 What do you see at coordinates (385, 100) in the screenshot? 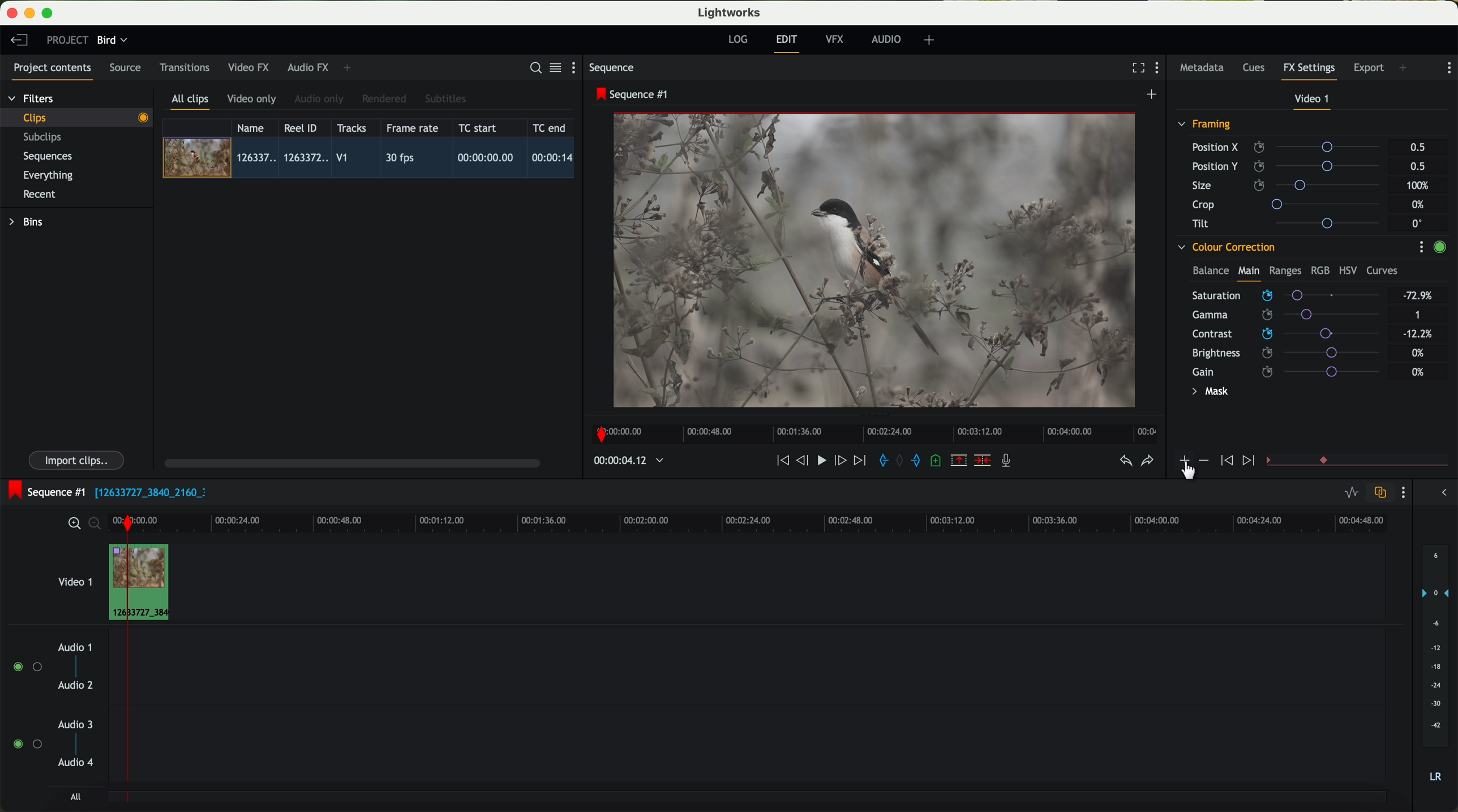
I see `rendered` at bounding box center [385, 100].